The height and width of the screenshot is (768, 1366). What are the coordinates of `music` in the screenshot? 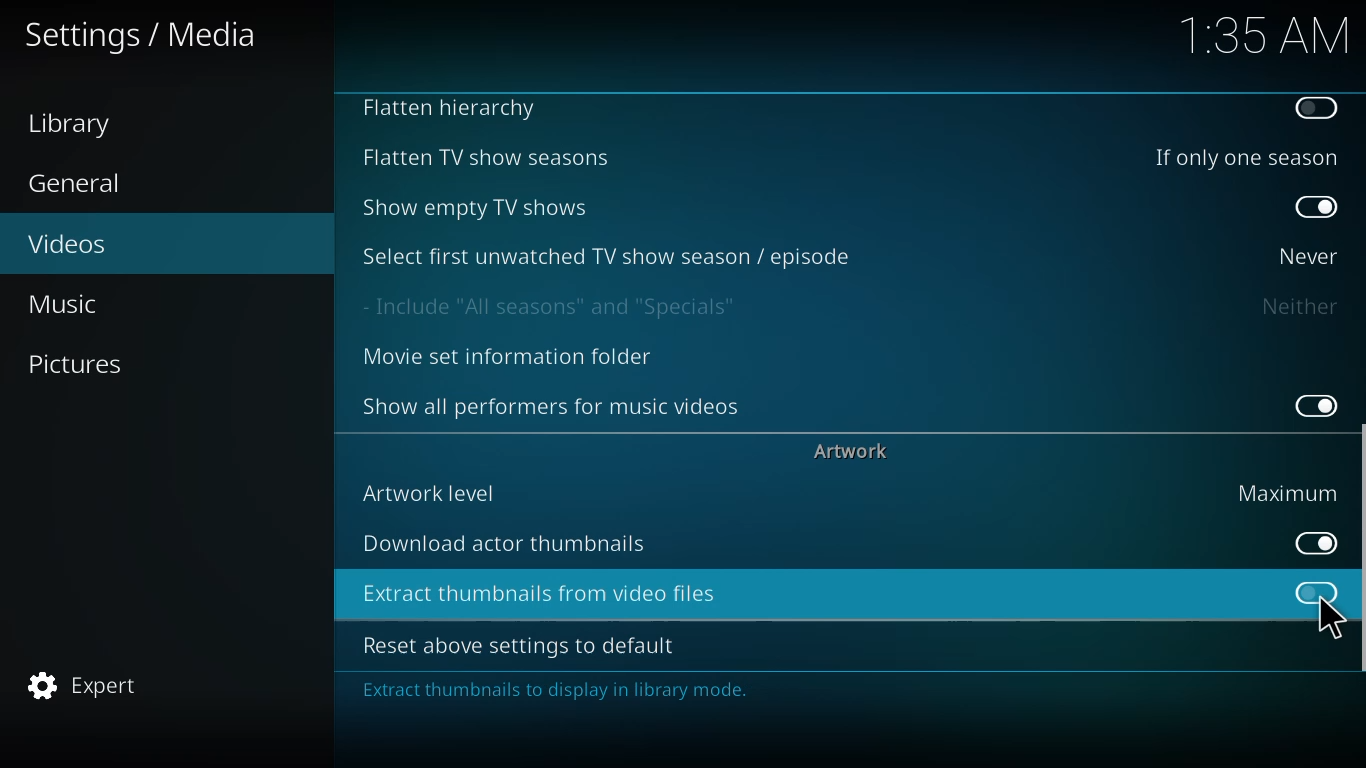 It's located at (71, 303).